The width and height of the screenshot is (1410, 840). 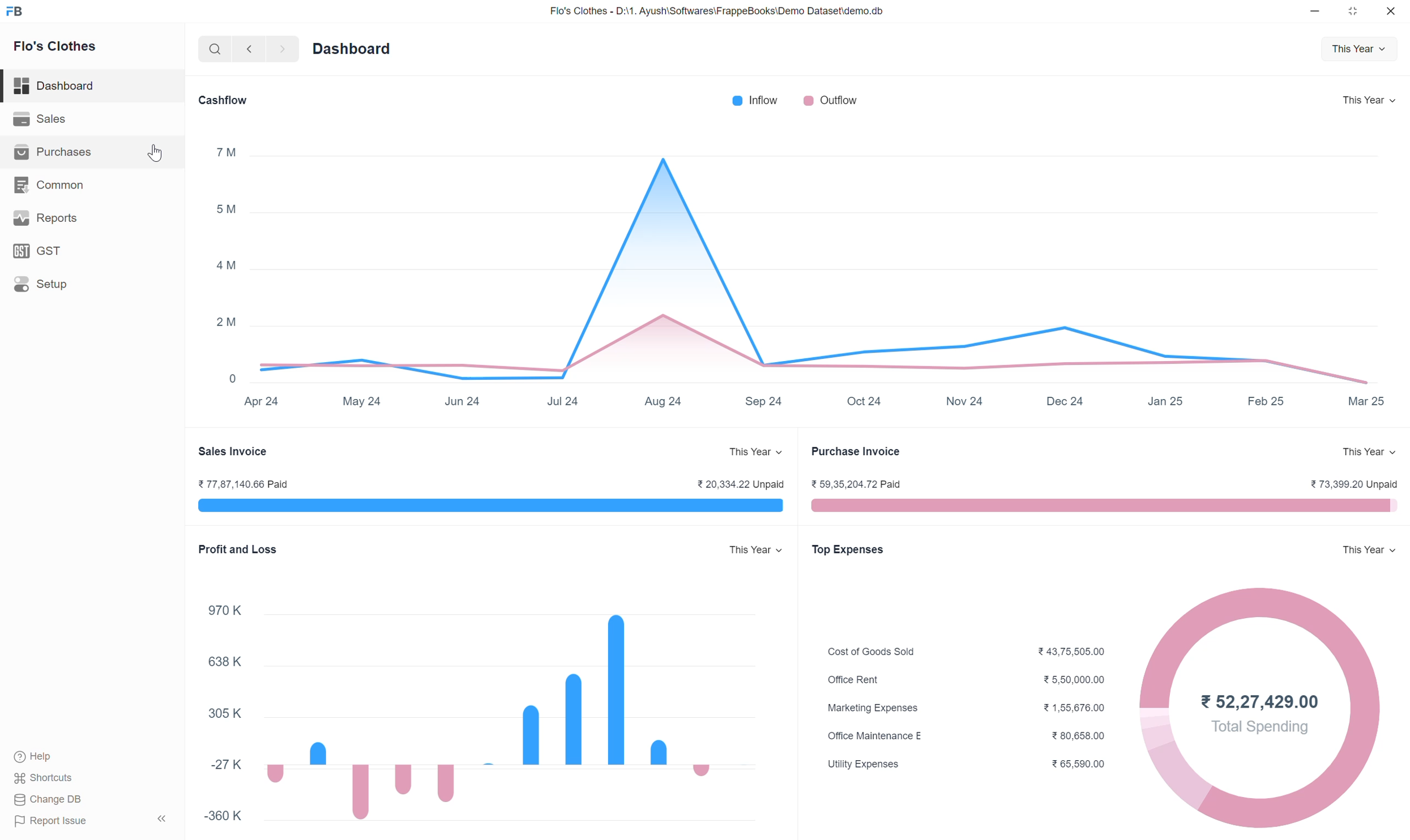 What do you see at coordinates (214, 659) in the screenshot?
I see `638 K` at bounding box center [214, 659].